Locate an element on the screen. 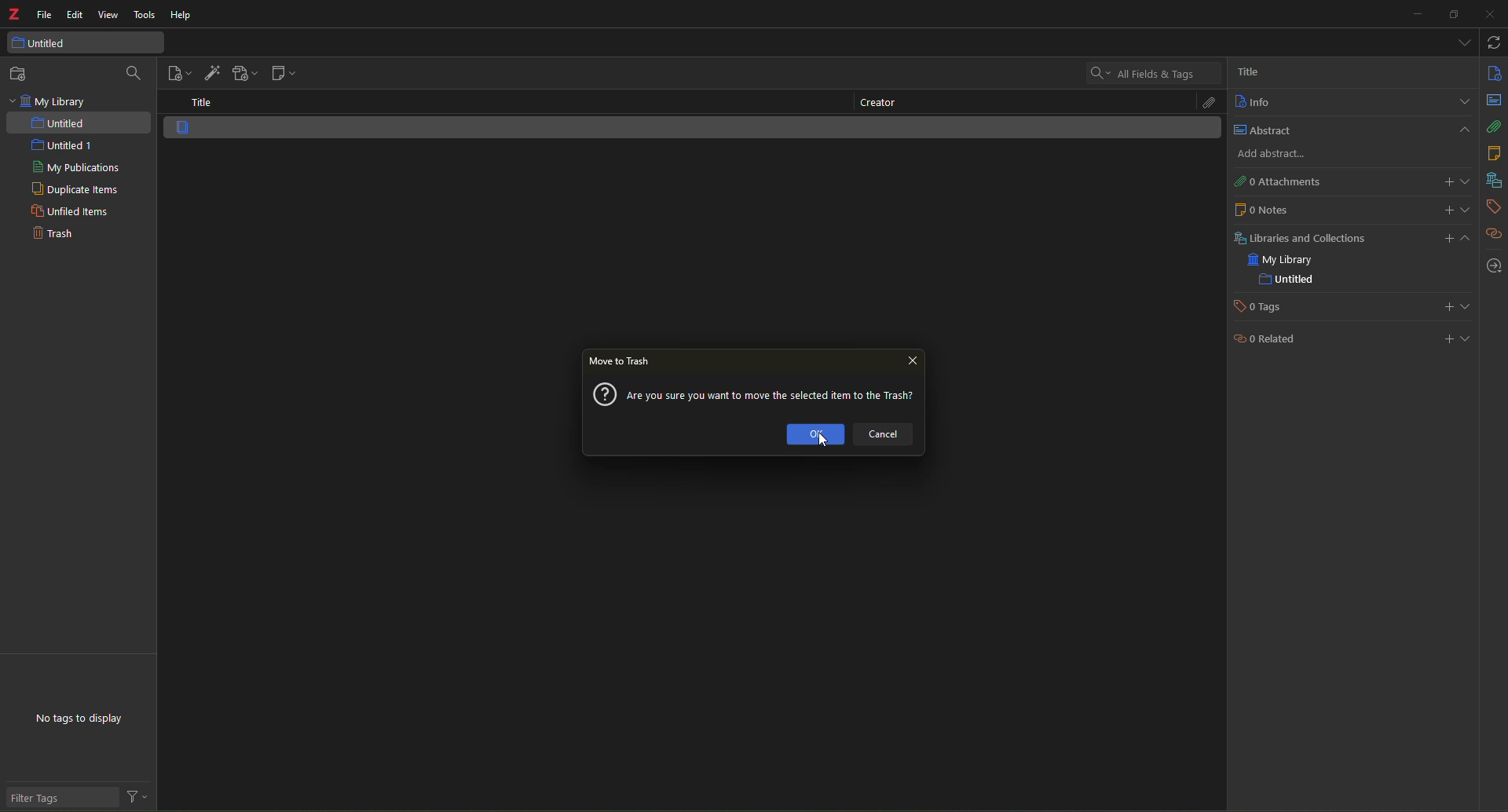  add is located at coordinates (1447, 182).